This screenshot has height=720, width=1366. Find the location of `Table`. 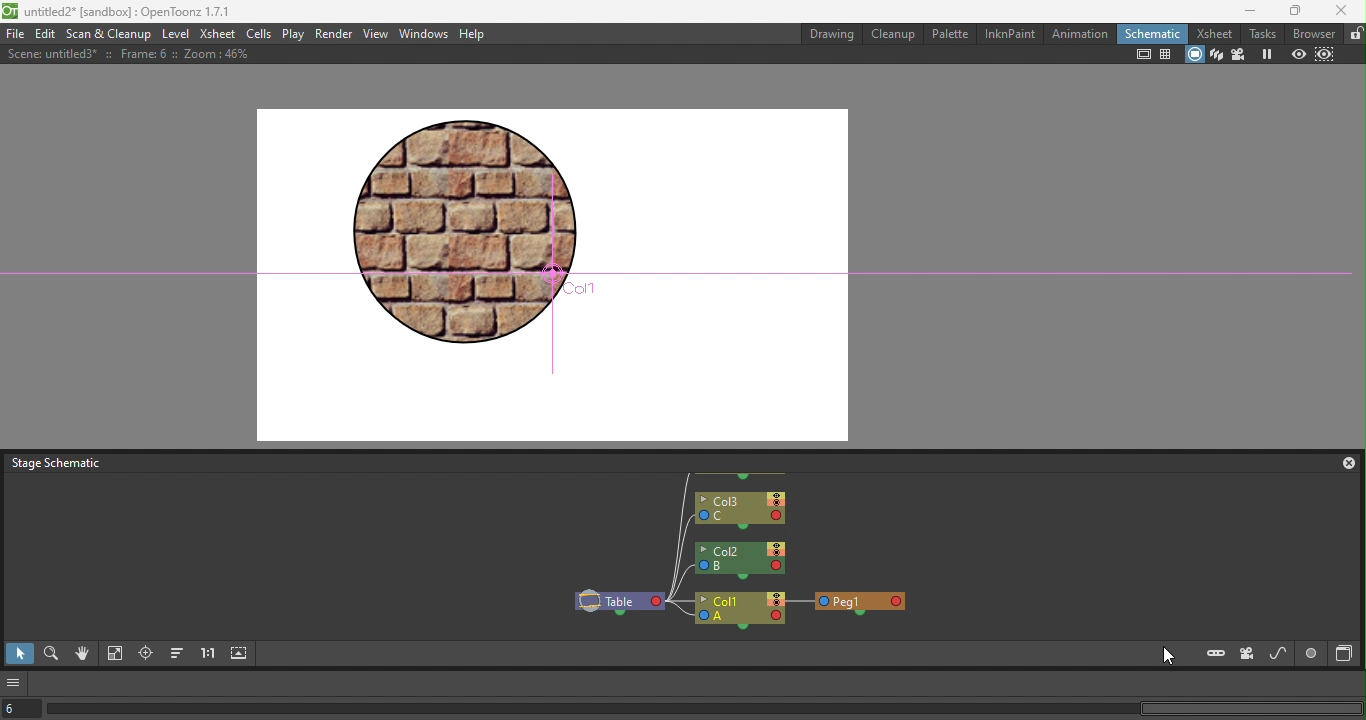

Table is located at coordinates (617, 602).